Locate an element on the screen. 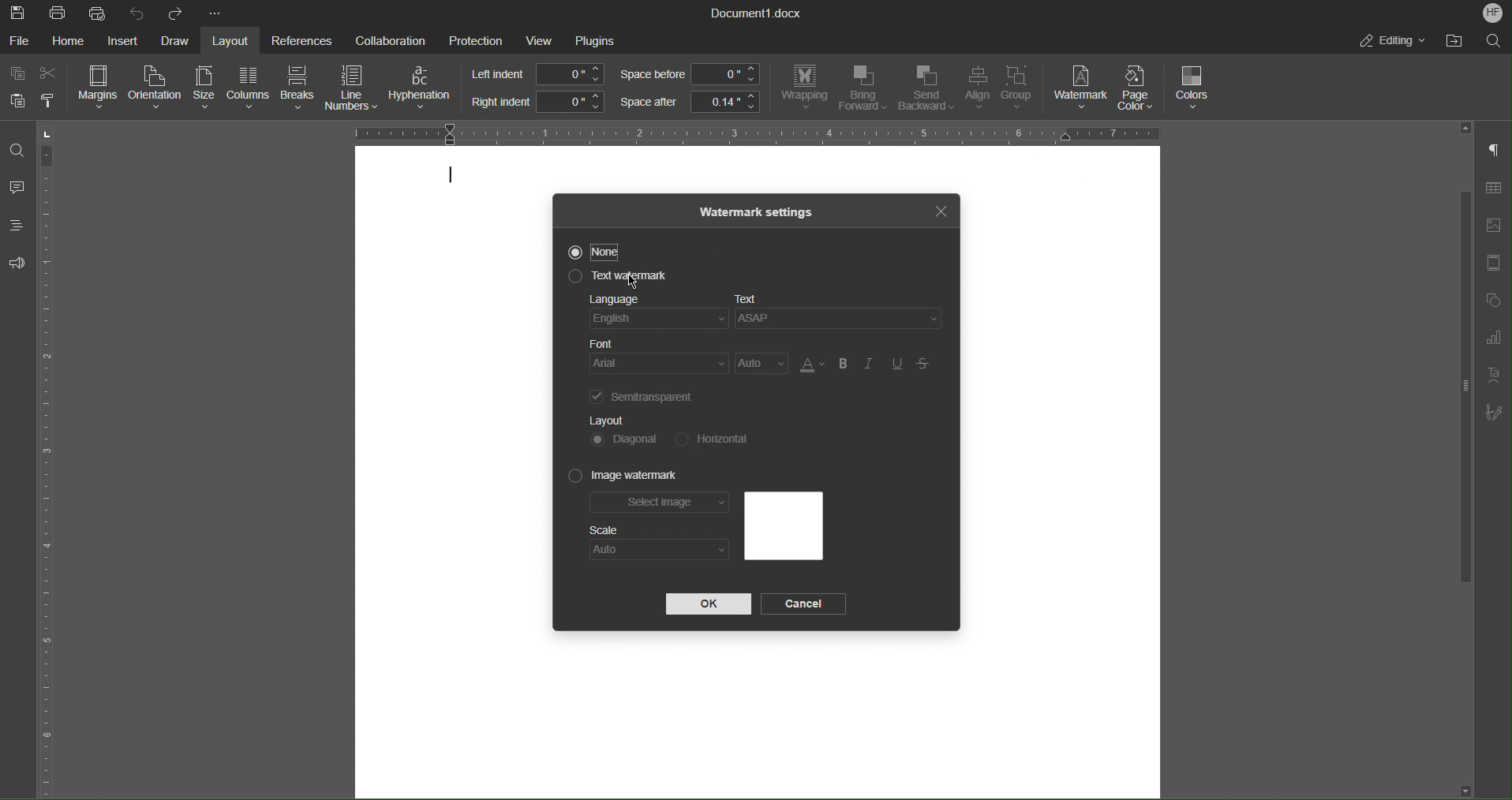 The height and width of the screenshot is (800, 1512). Group is located at coordinates (1022, 90).